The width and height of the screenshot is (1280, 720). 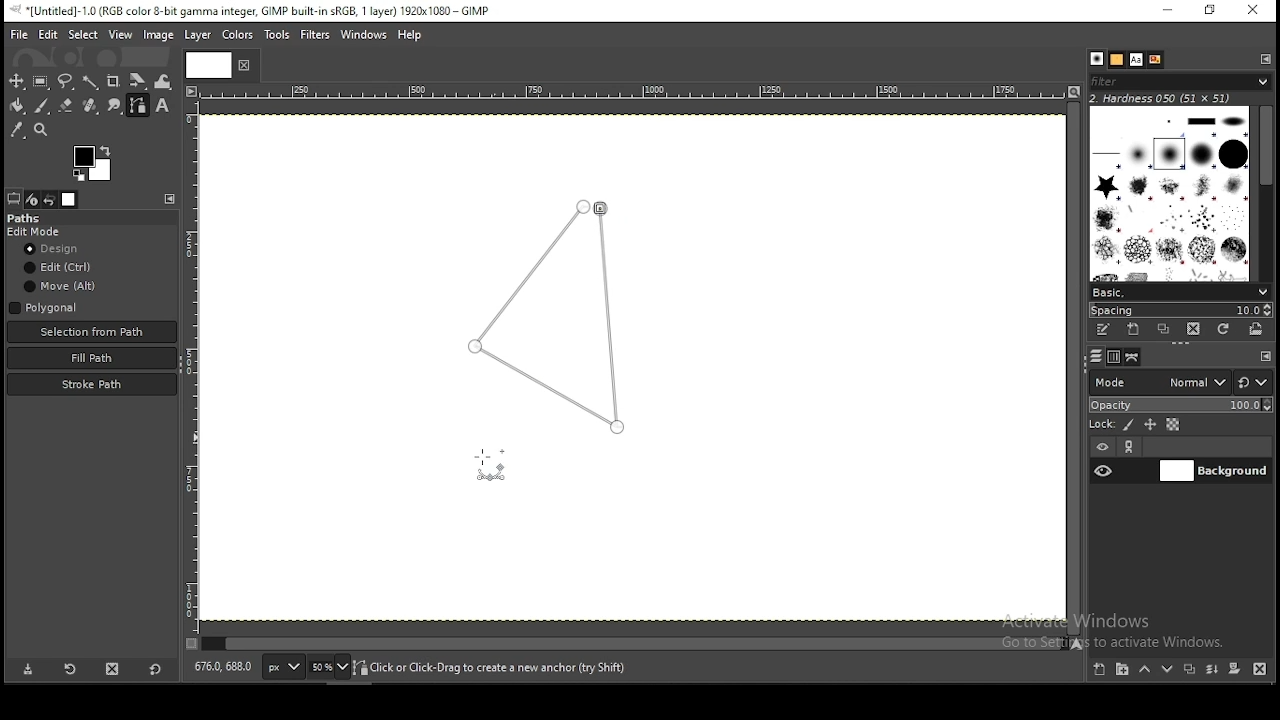 What do you see at coordinates (1113, 356) in the screenshot?
I see `channel` at bounding box center [1113, 356].